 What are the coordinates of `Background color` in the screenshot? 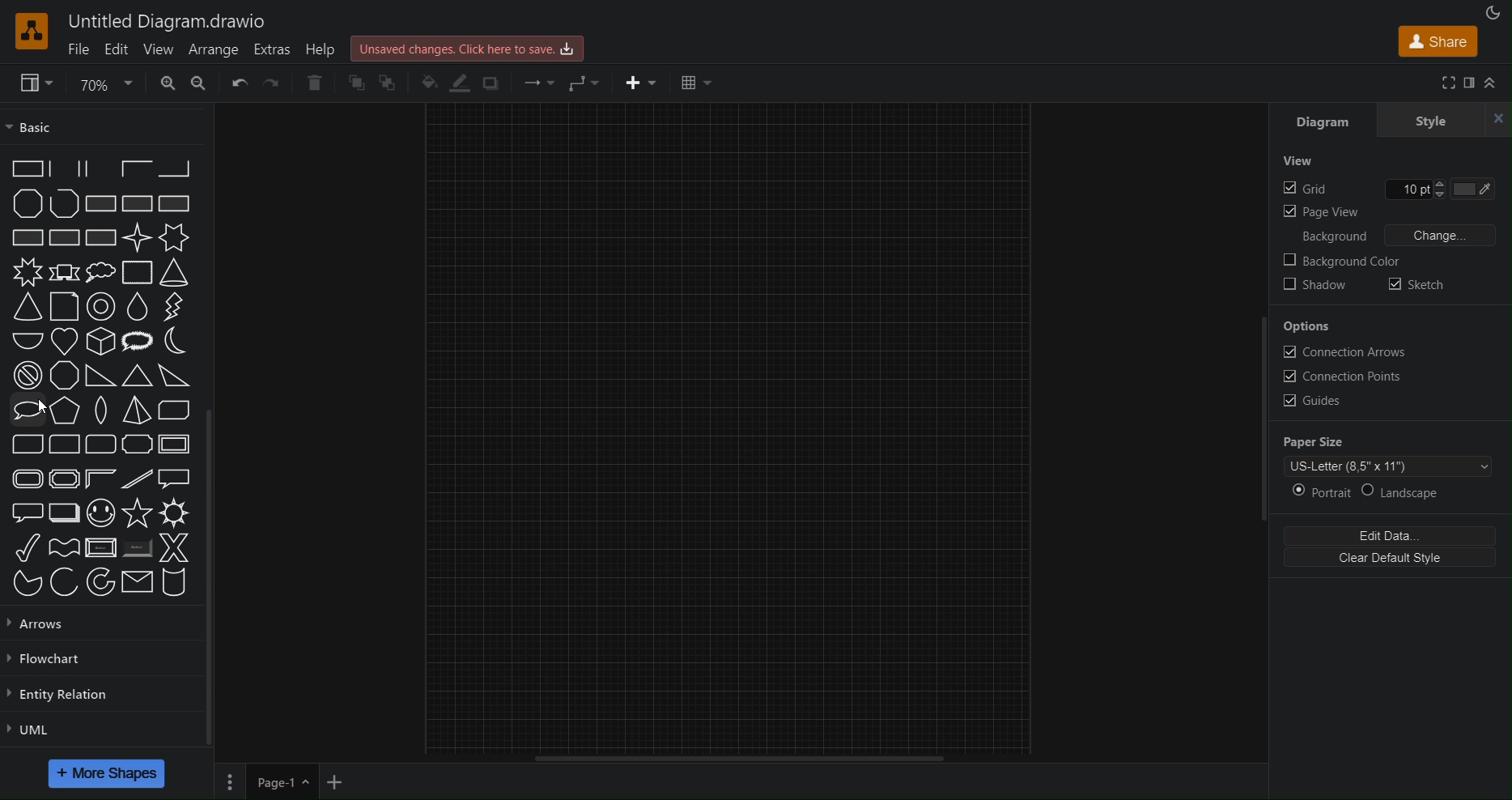 It's located at (1341, 260).